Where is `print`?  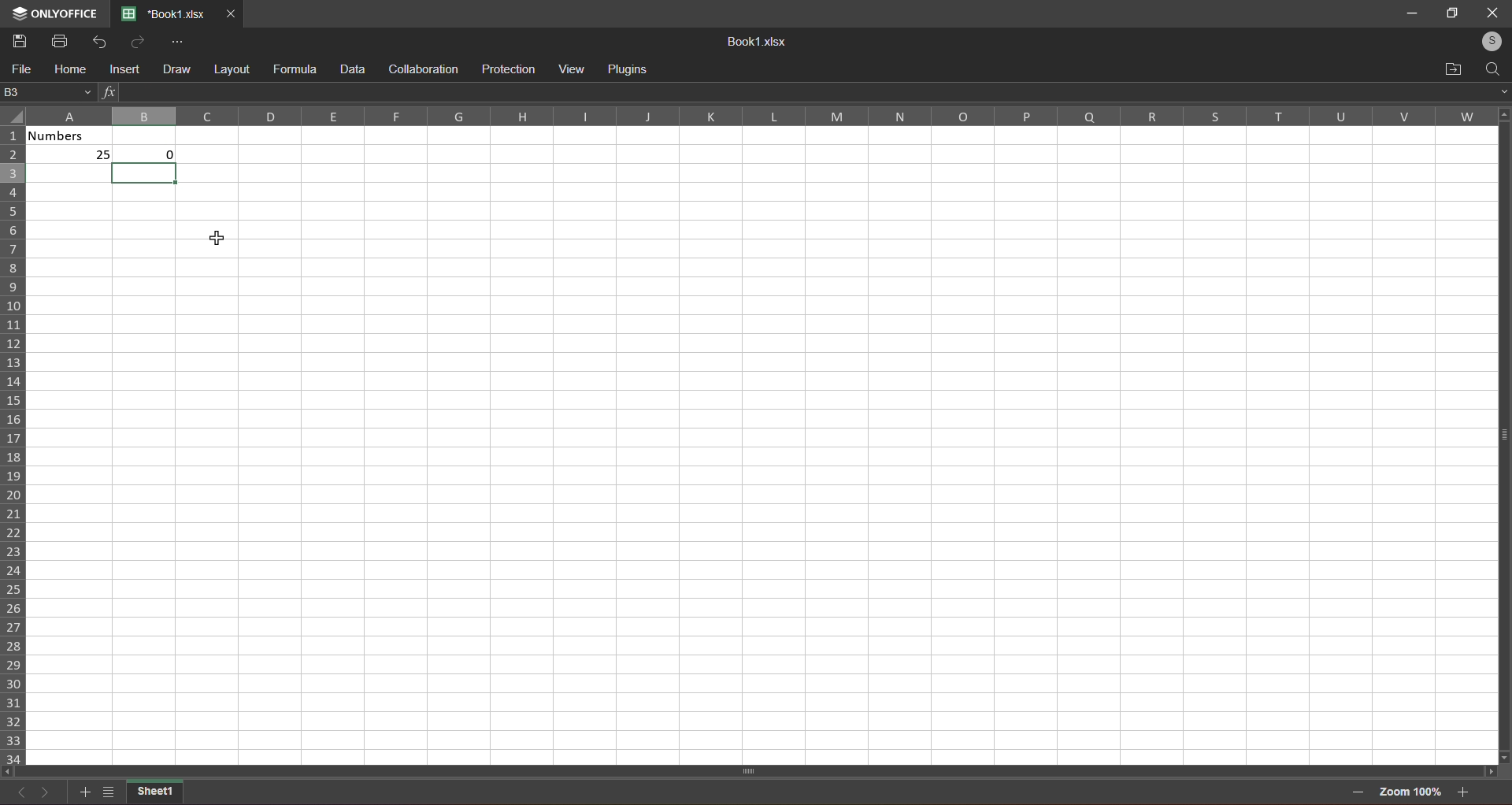
print is located at coordinates (58, 40).